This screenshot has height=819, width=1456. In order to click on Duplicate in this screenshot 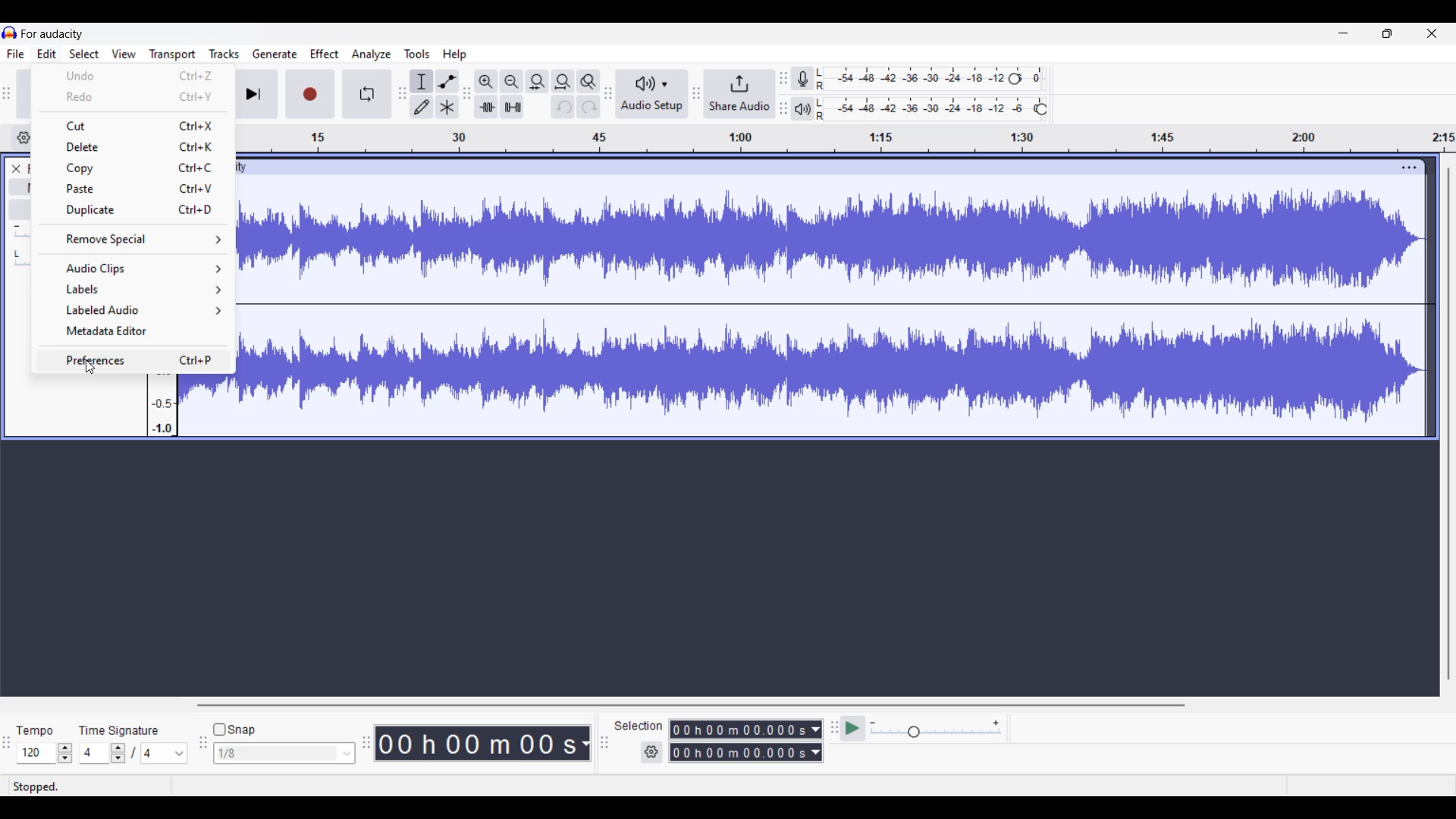, I will do `click(134, 210)`.